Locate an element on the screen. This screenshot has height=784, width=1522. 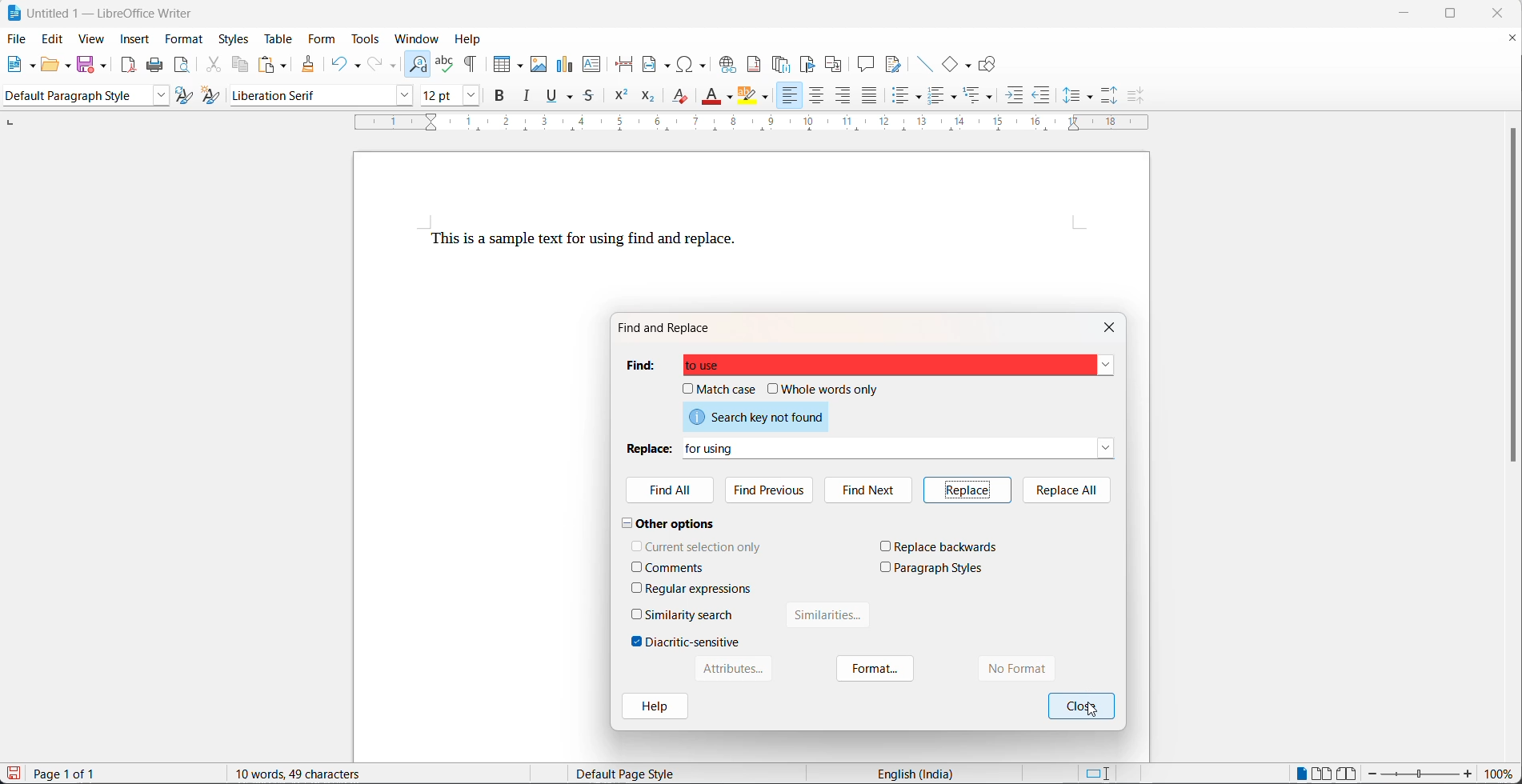
edit is located at coordinates (54, 40).